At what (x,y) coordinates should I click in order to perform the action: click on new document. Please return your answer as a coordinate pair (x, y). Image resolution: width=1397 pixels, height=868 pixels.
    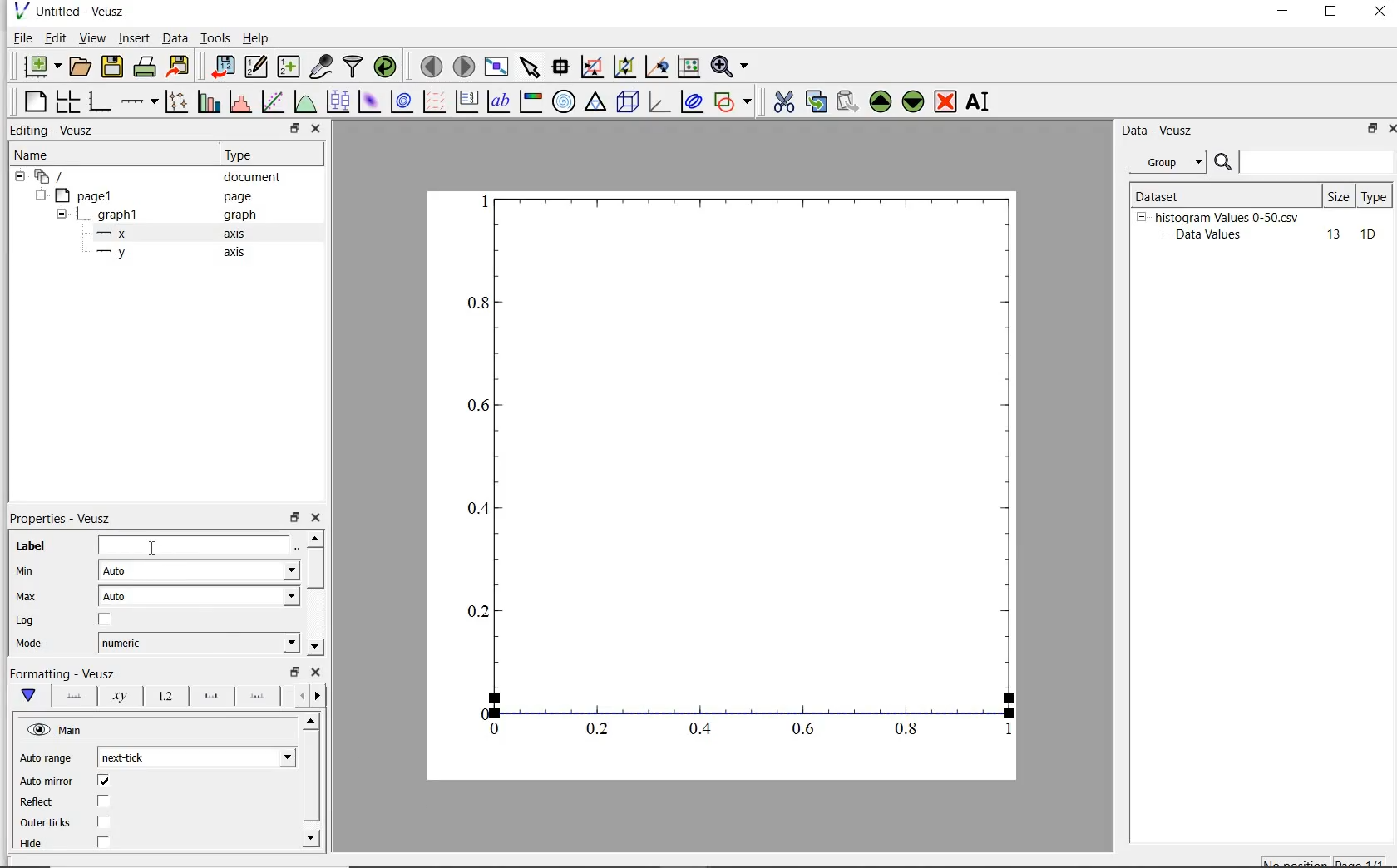
    Looking at the image, I should click on (41, 66).